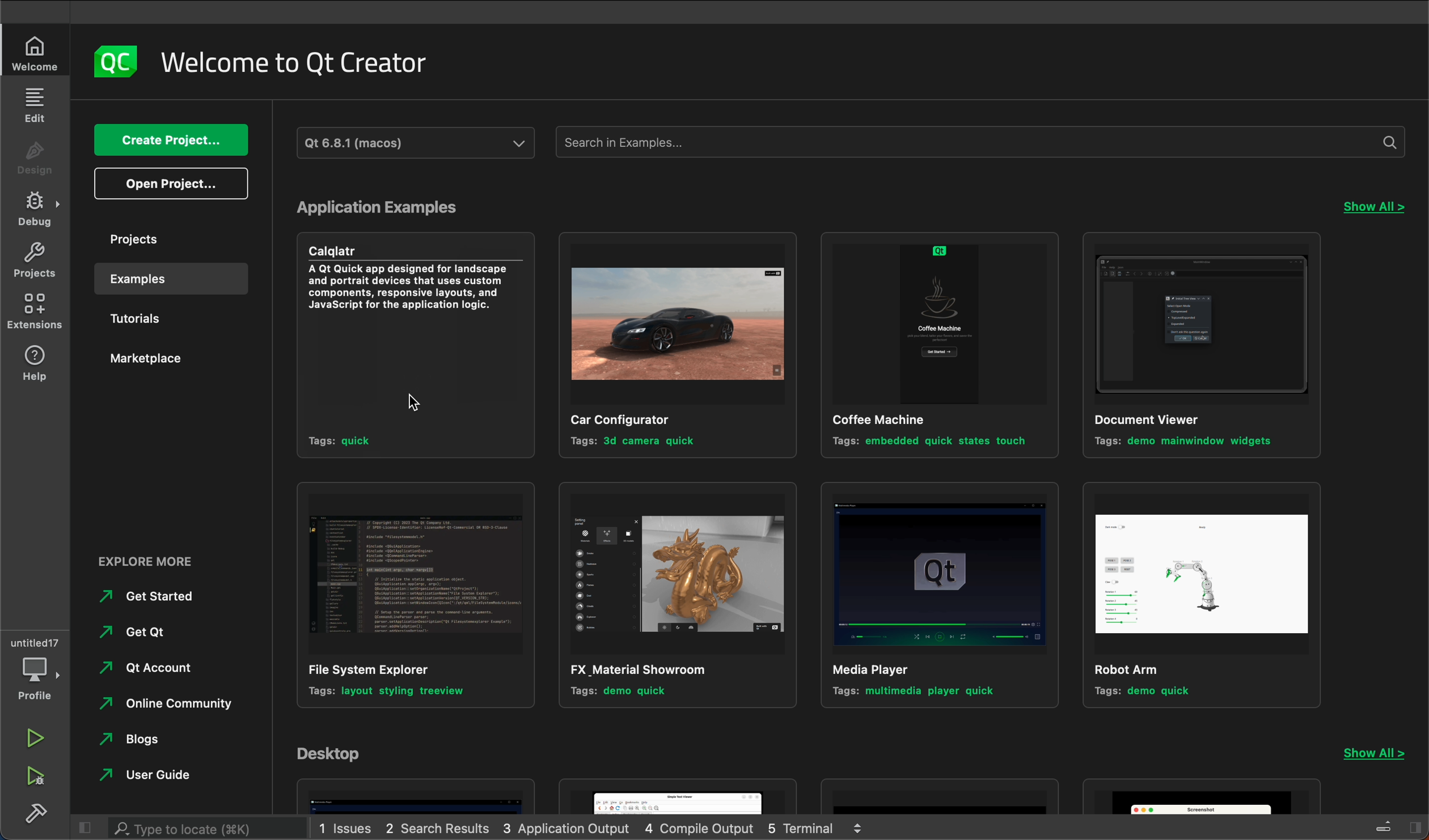  What do you see at coordinates (681, 796) in the screenshot?
I see `app` at bounding box center [681, 796].